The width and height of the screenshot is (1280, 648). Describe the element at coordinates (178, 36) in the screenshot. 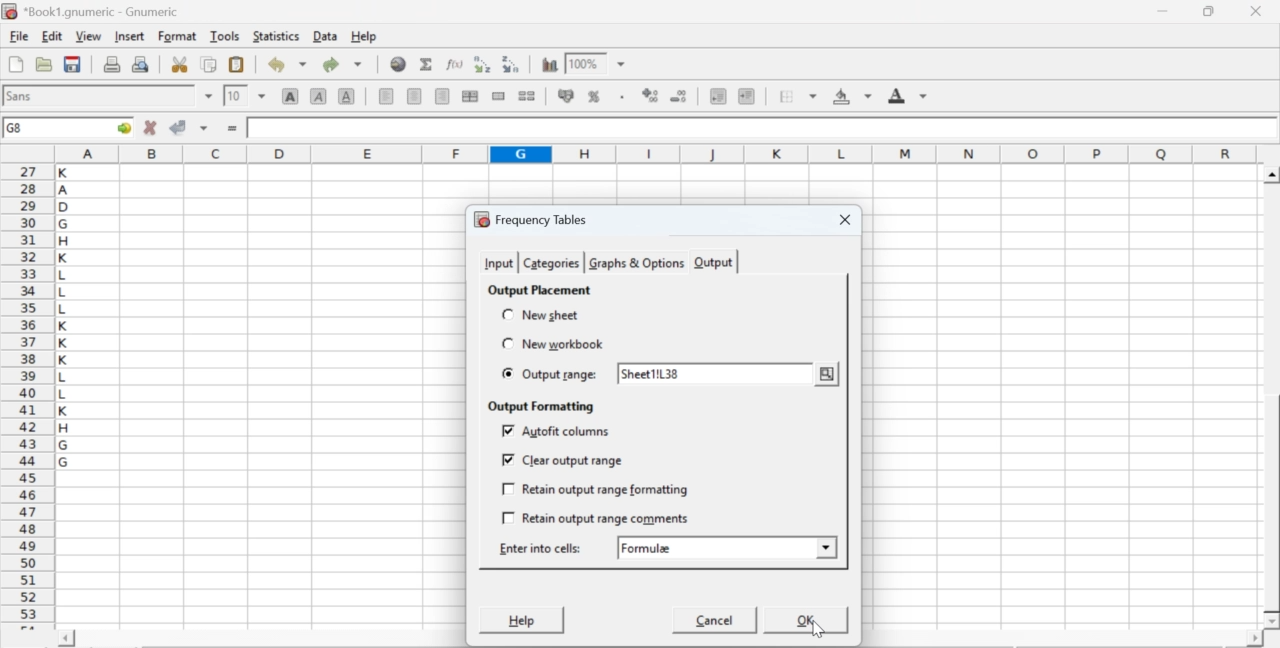

I see `format` at that location.